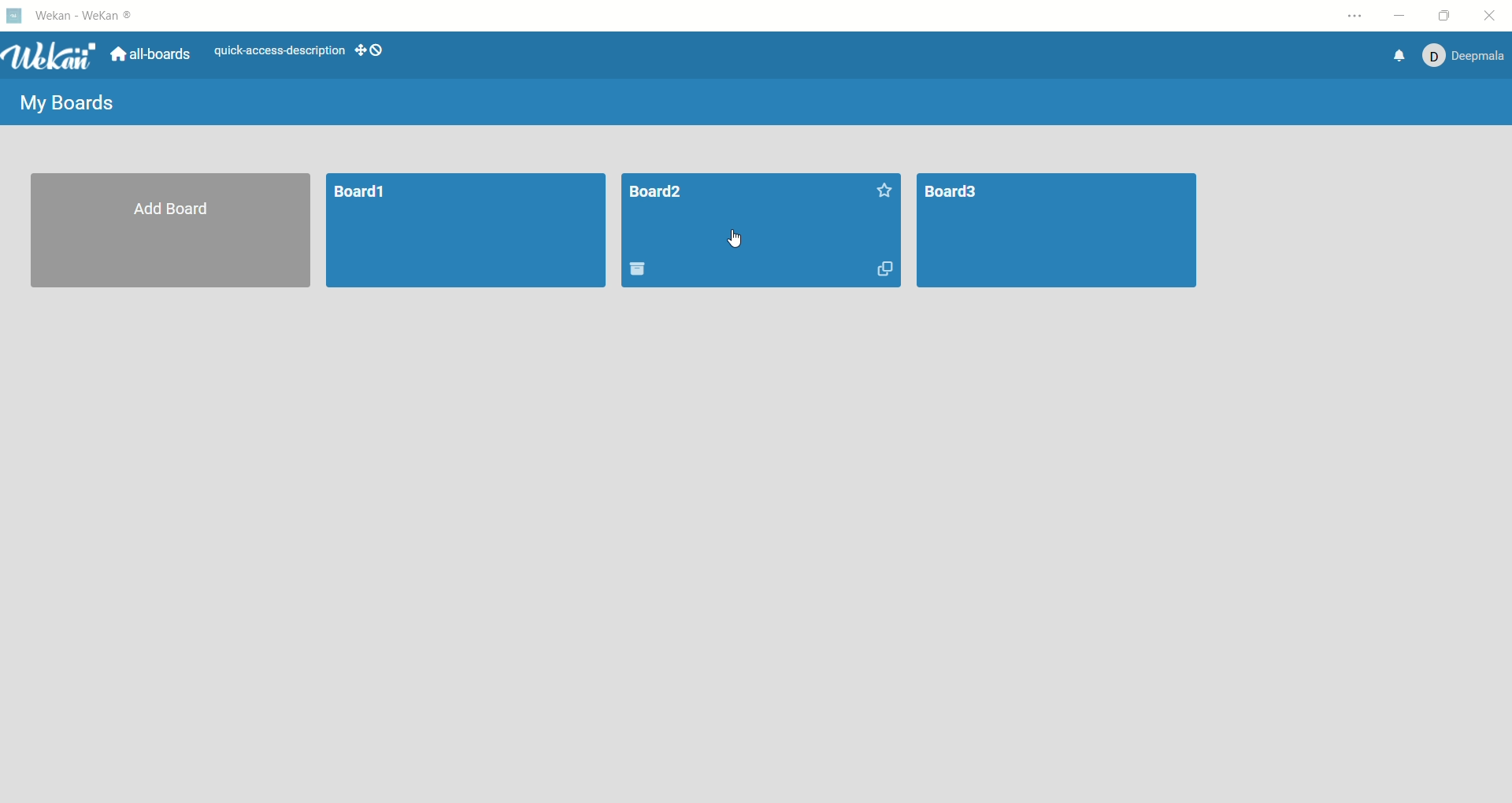 The image size is (1512, 803). Describe the element at coordinates (873, 269) in the screenshot. I see `duplicate board` at that location.